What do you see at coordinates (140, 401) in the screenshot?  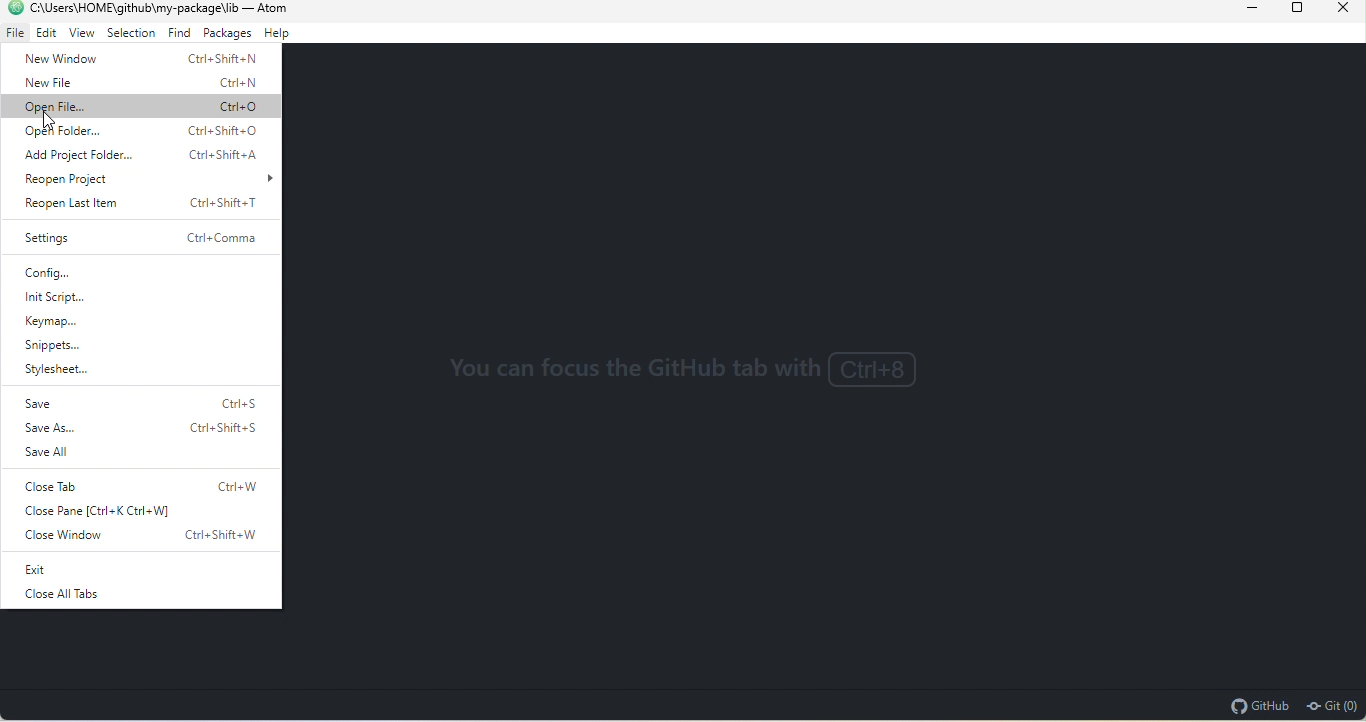 I see `save` at bounding box center [140, 401].